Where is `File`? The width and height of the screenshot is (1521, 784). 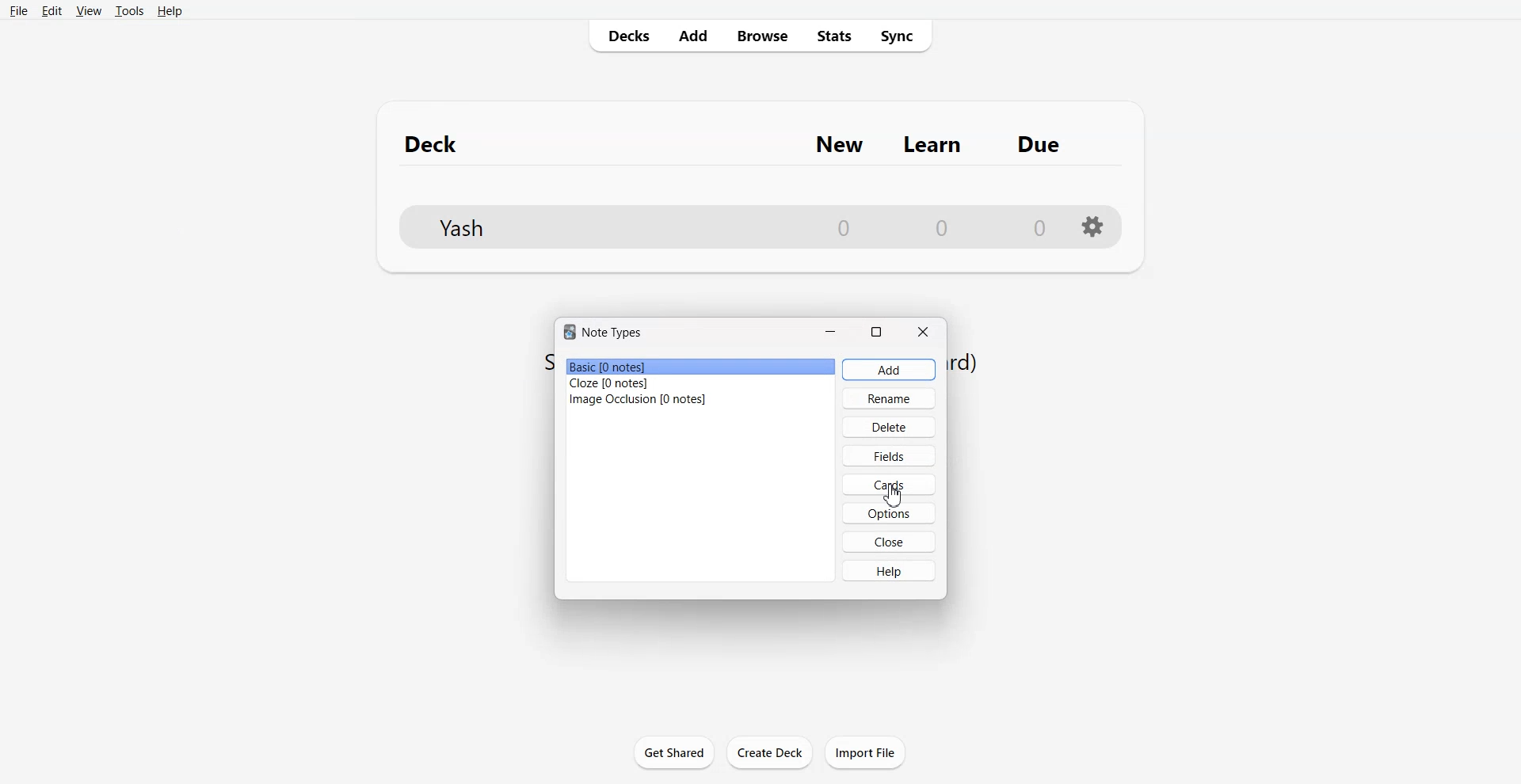 File is located at coordinates (723, 223).